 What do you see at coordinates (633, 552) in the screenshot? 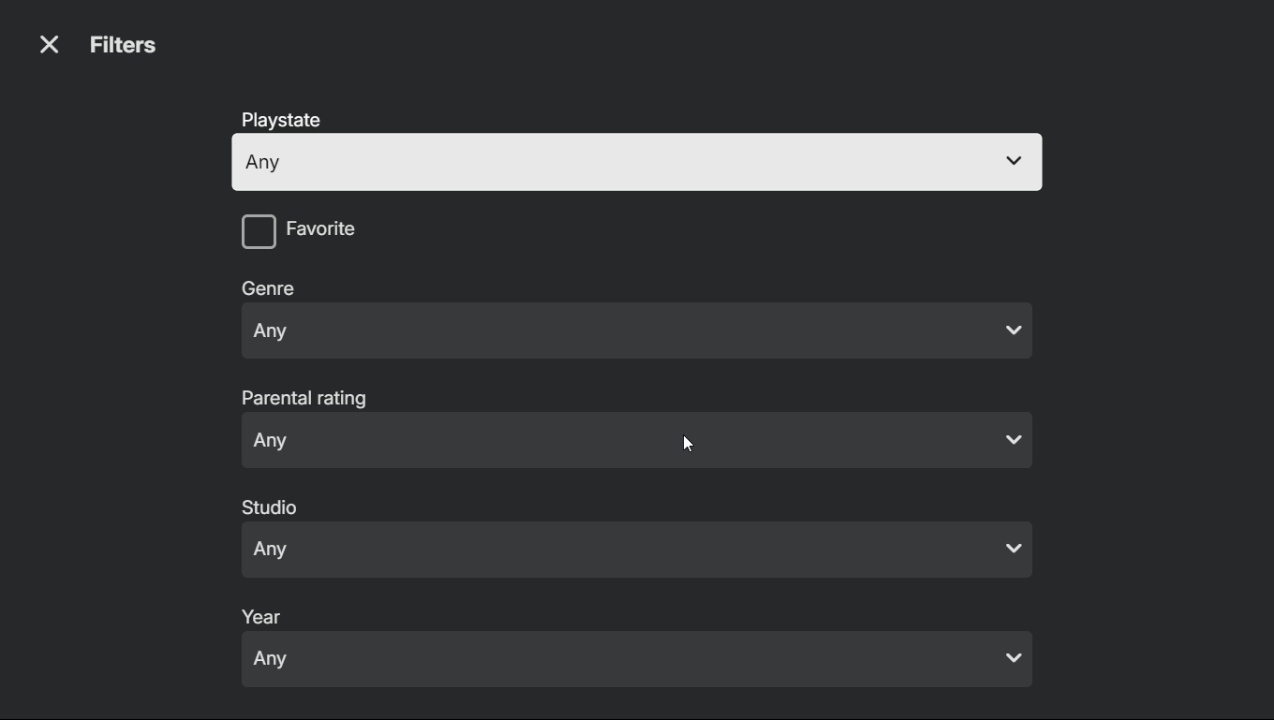
I see `Any` at bounding box center [633, 552].